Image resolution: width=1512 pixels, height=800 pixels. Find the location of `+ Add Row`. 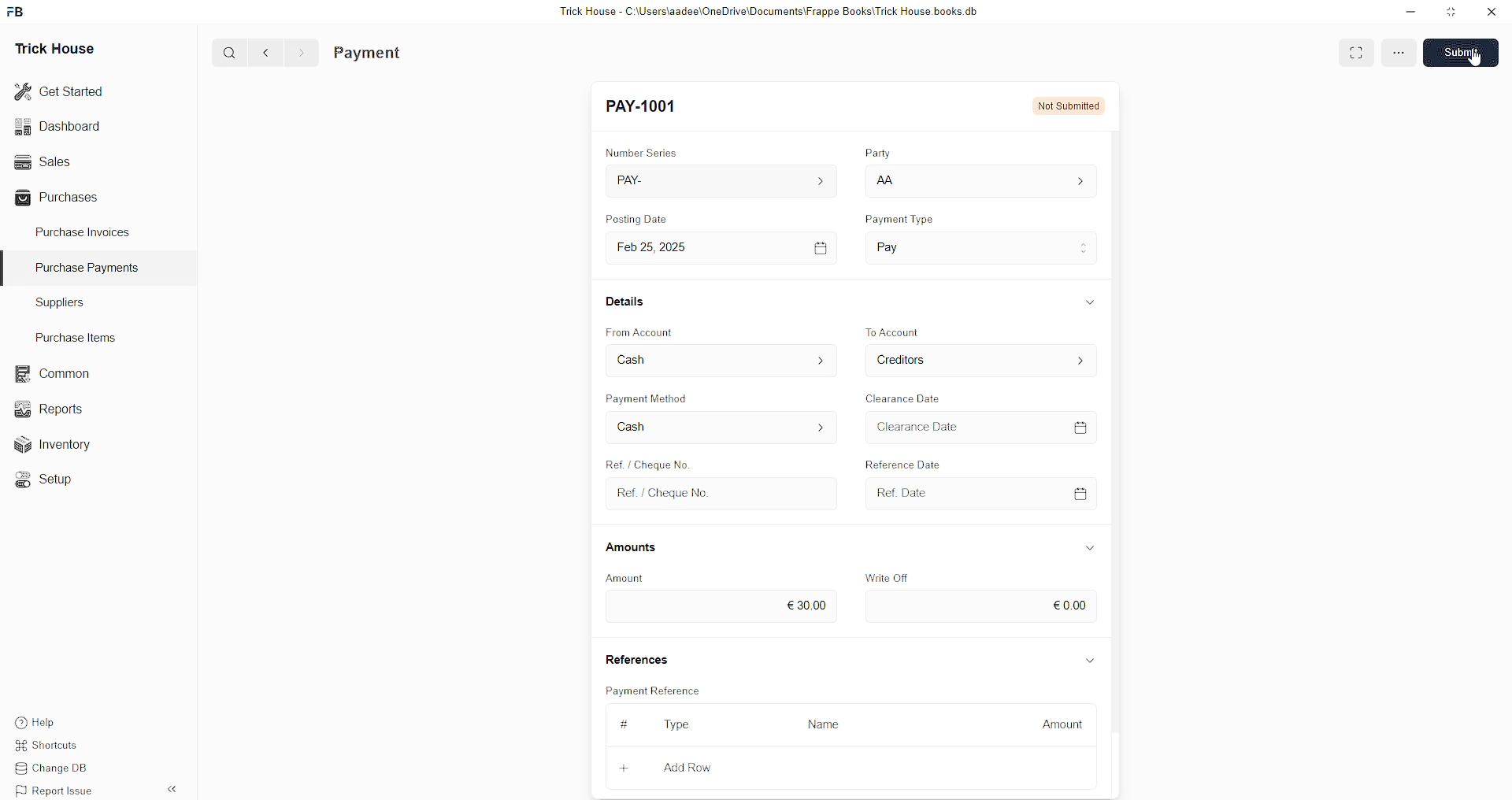

+ Add Row is located at coordinates (652, 766).